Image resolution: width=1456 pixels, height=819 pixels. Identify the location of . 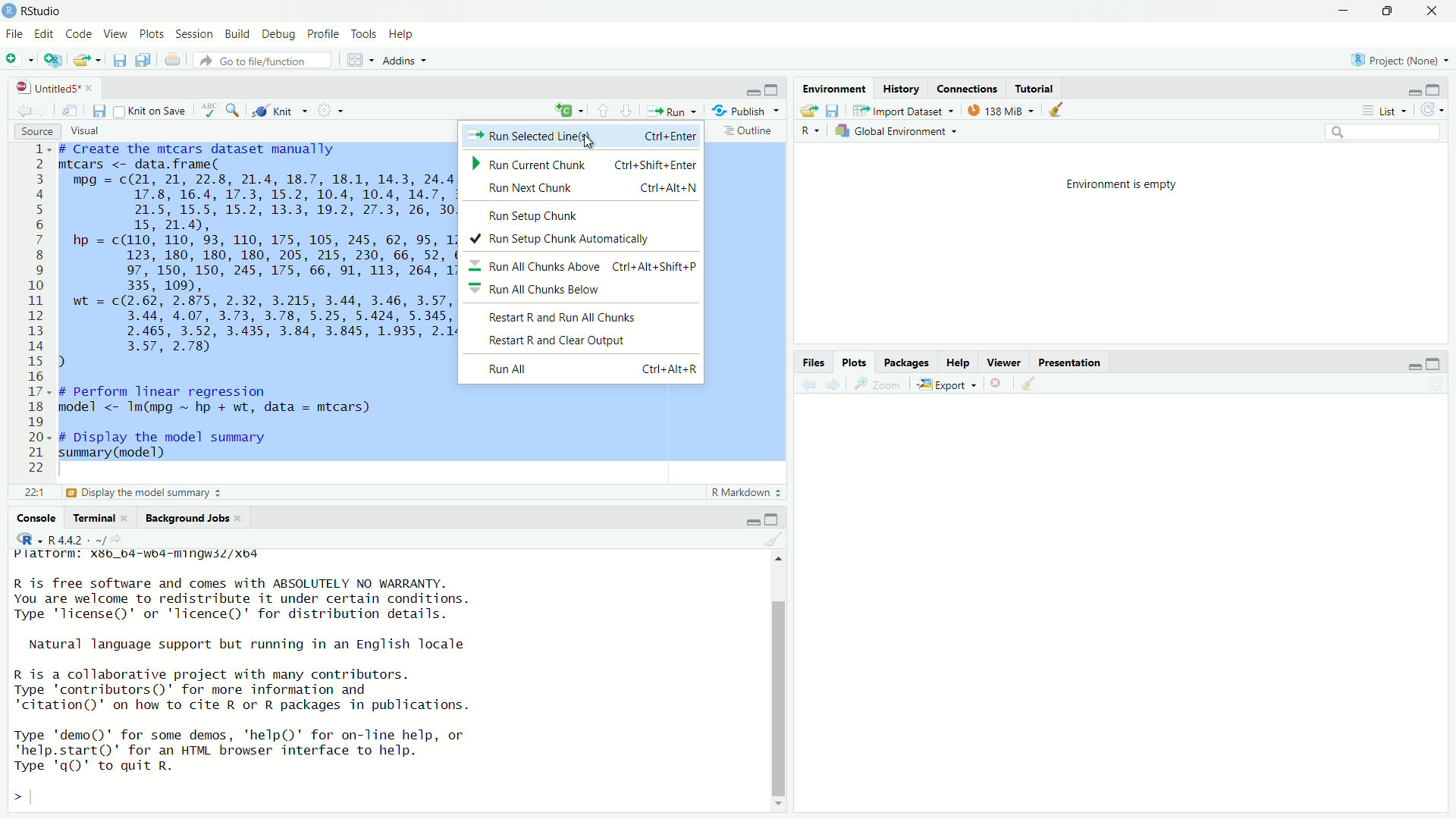
(538, 290).